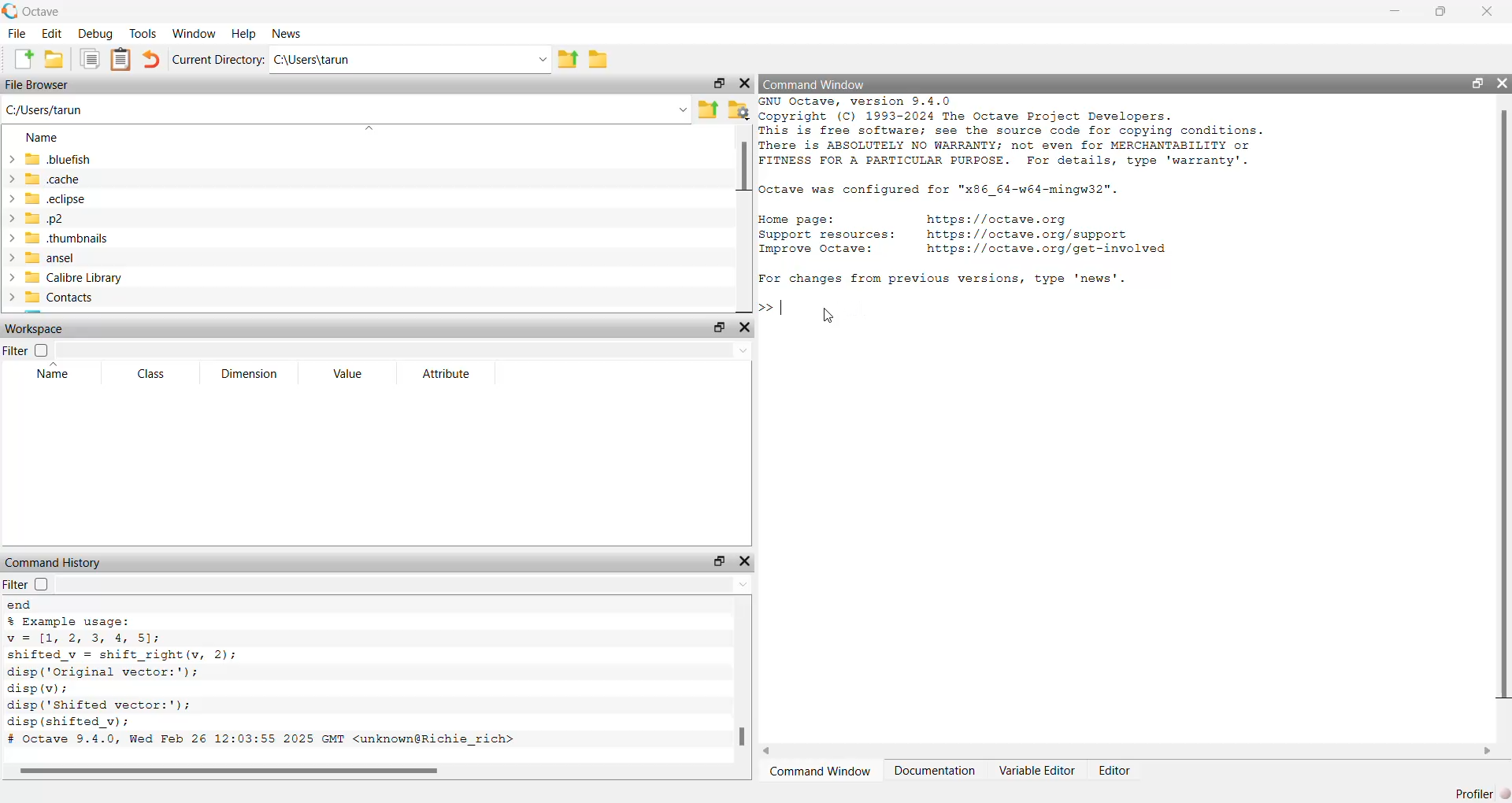 This screenshot has height=803, width=1512. I want to click on command window, so click(827, 84).